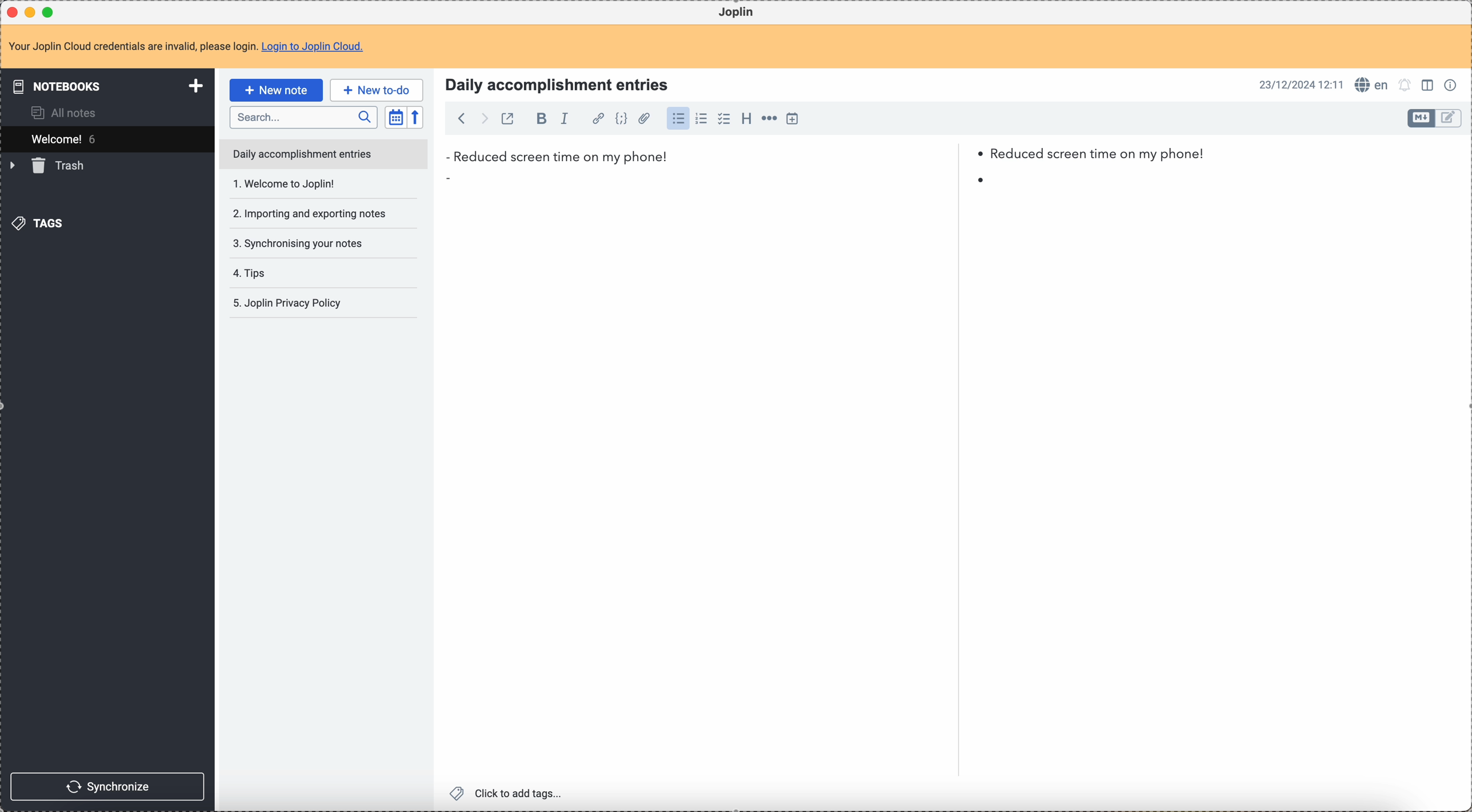  What do you see at coordinates (186, 47) in the screenshot?
I see `note` at bounding box center [186, 47].